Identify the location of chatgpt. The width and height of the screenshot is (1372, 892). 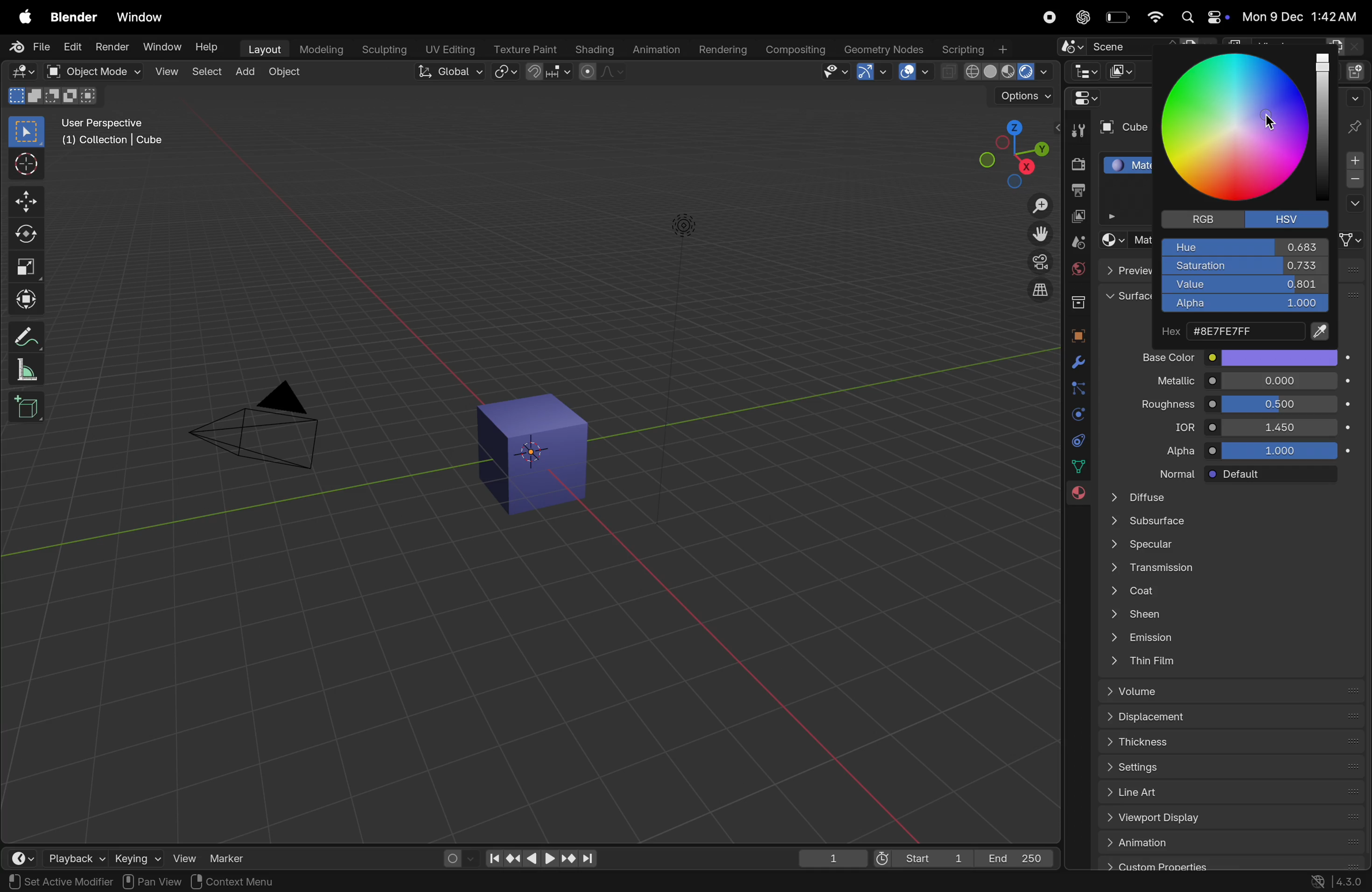
(1079, 17).